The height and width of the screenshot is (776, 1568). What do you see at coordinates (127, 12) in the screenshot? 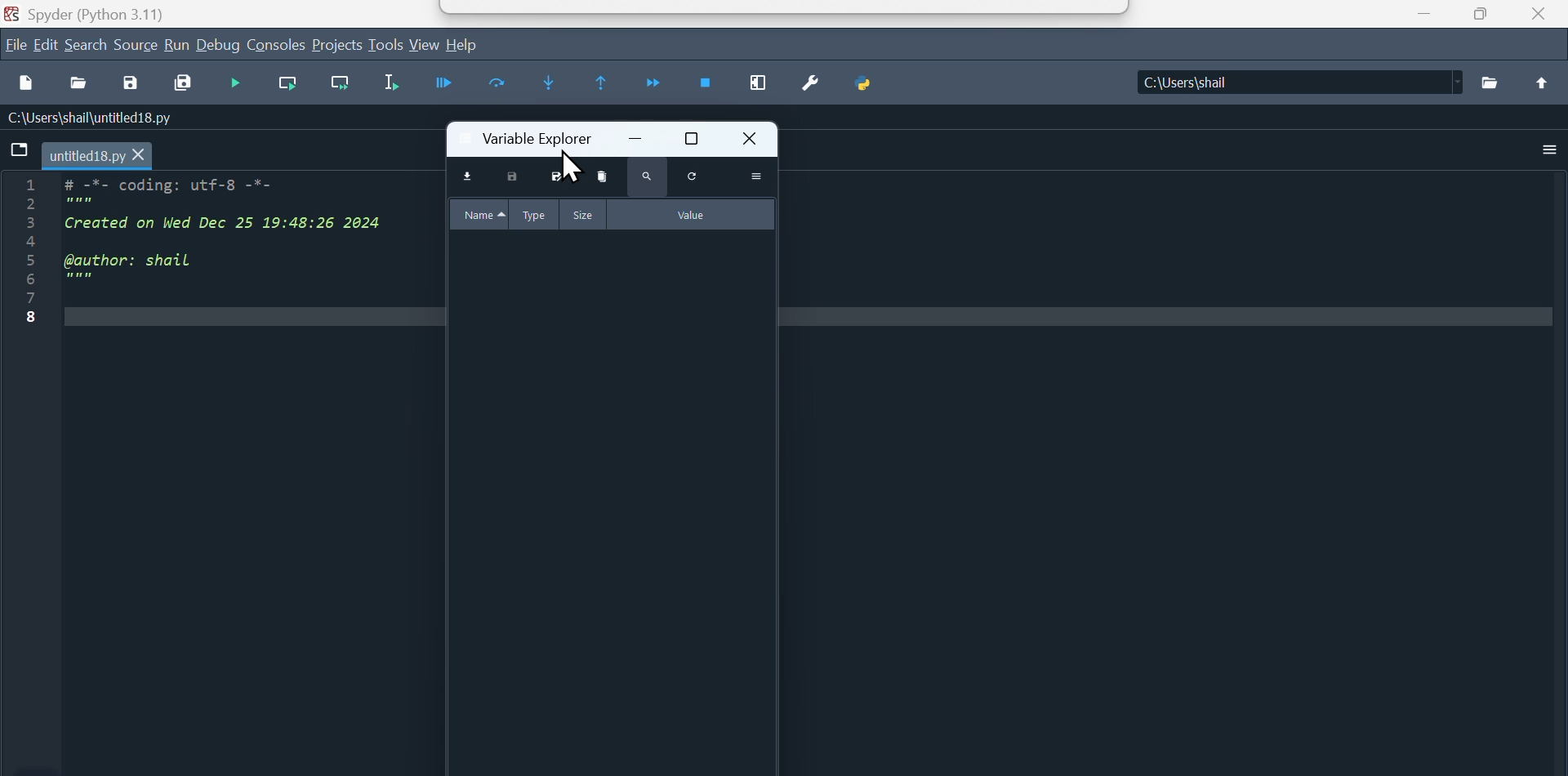
I see `Spyder (Python 3.11)` at bounding box center [127, 12].